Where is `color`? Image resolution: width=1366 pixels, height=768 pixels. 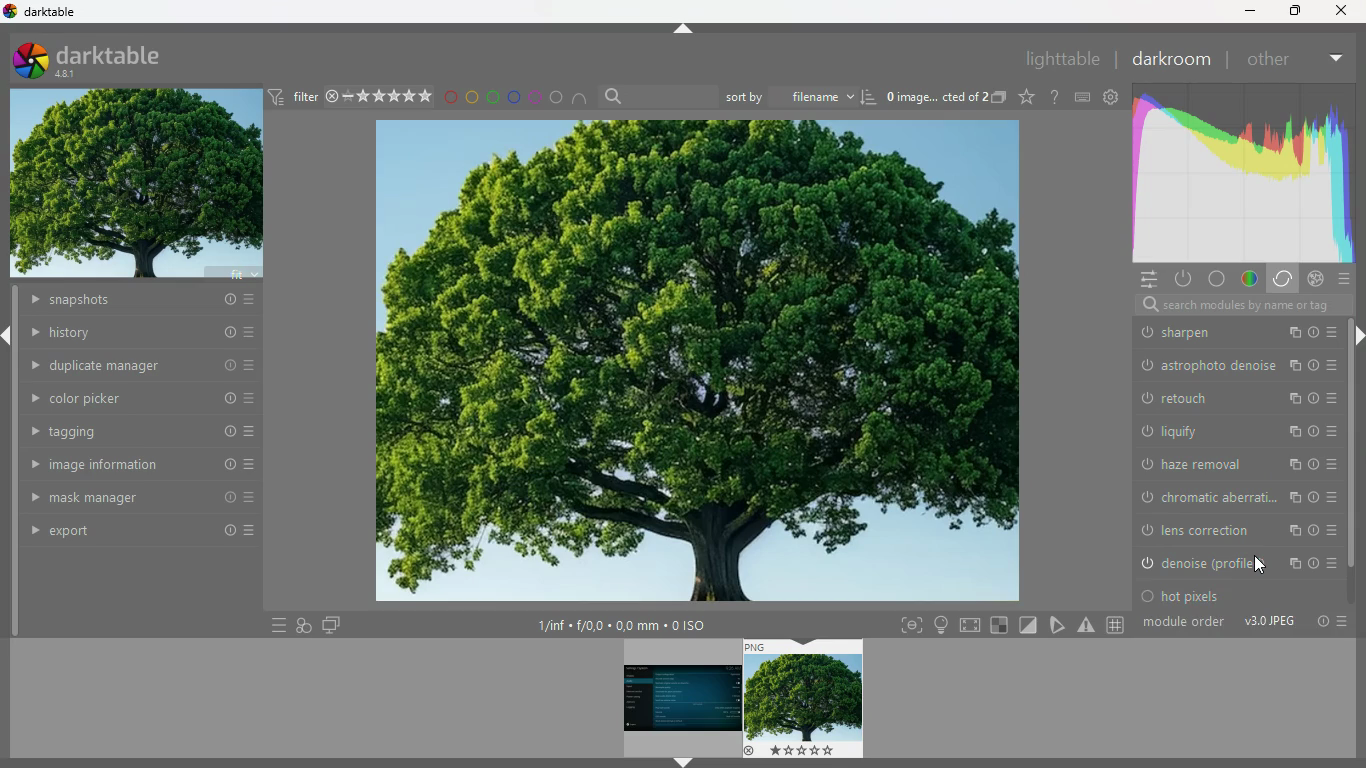
color is located at coordinates (1250, 280).